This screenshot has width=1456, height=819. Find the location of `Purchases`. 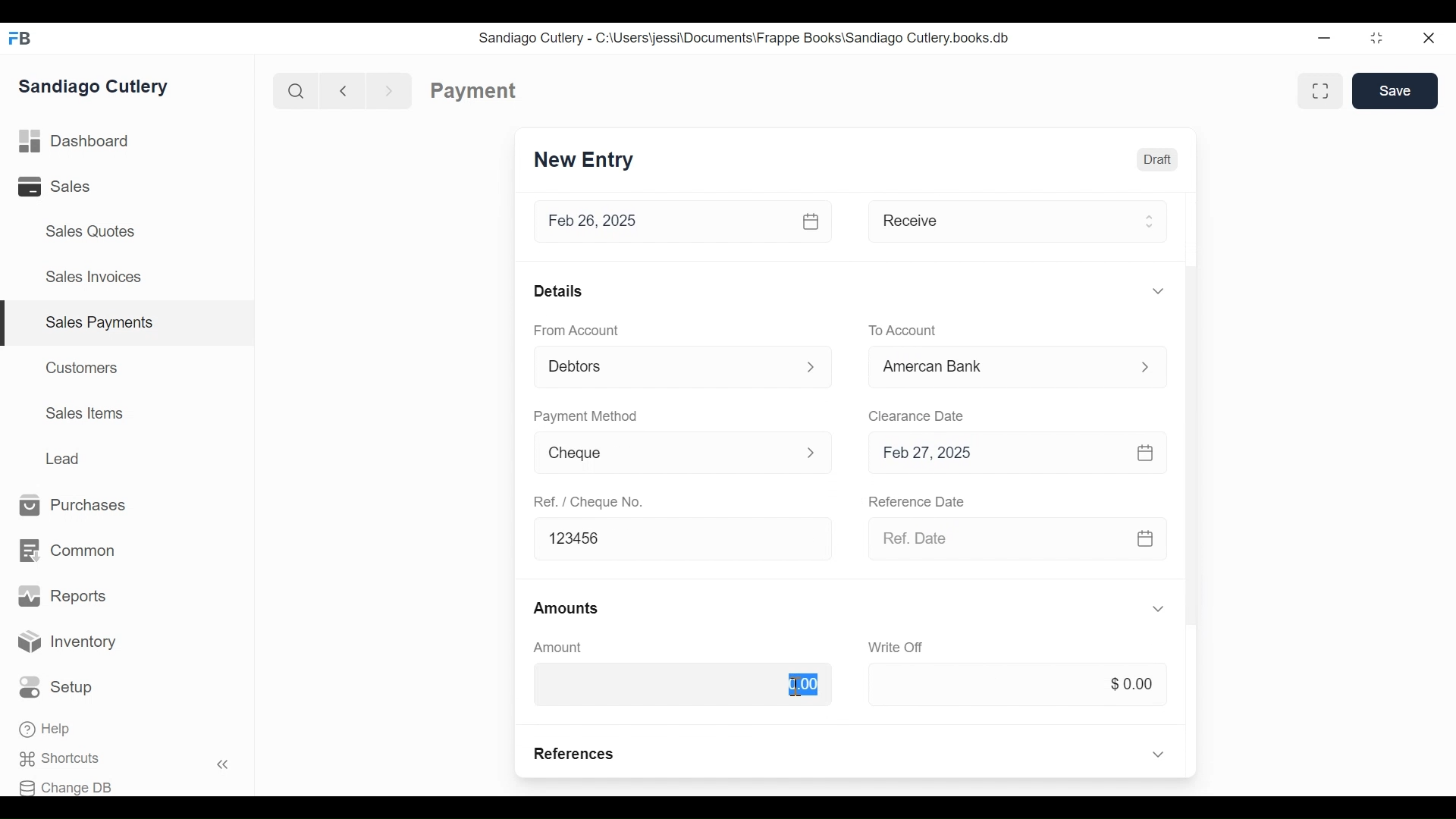

Purchases is located at coordinates (74, 506).